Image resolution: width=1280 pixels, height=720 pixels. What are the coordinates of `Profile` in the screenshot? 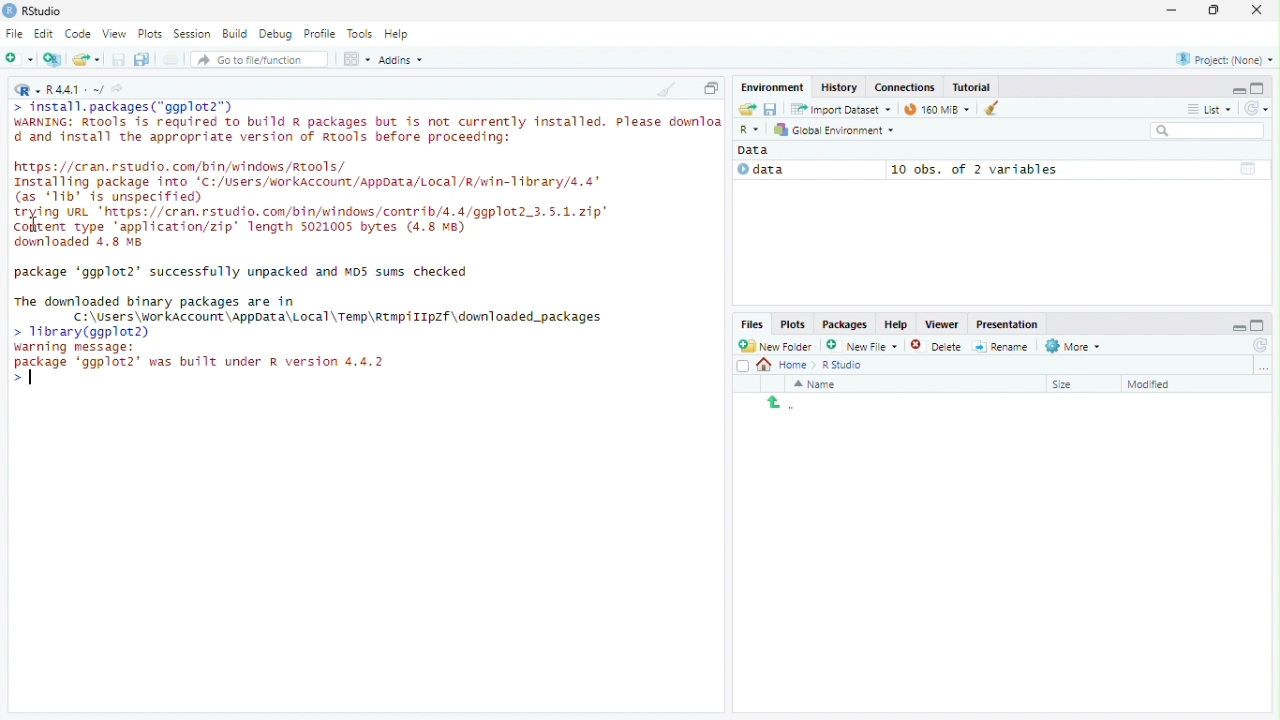 It's located at (323, 34).